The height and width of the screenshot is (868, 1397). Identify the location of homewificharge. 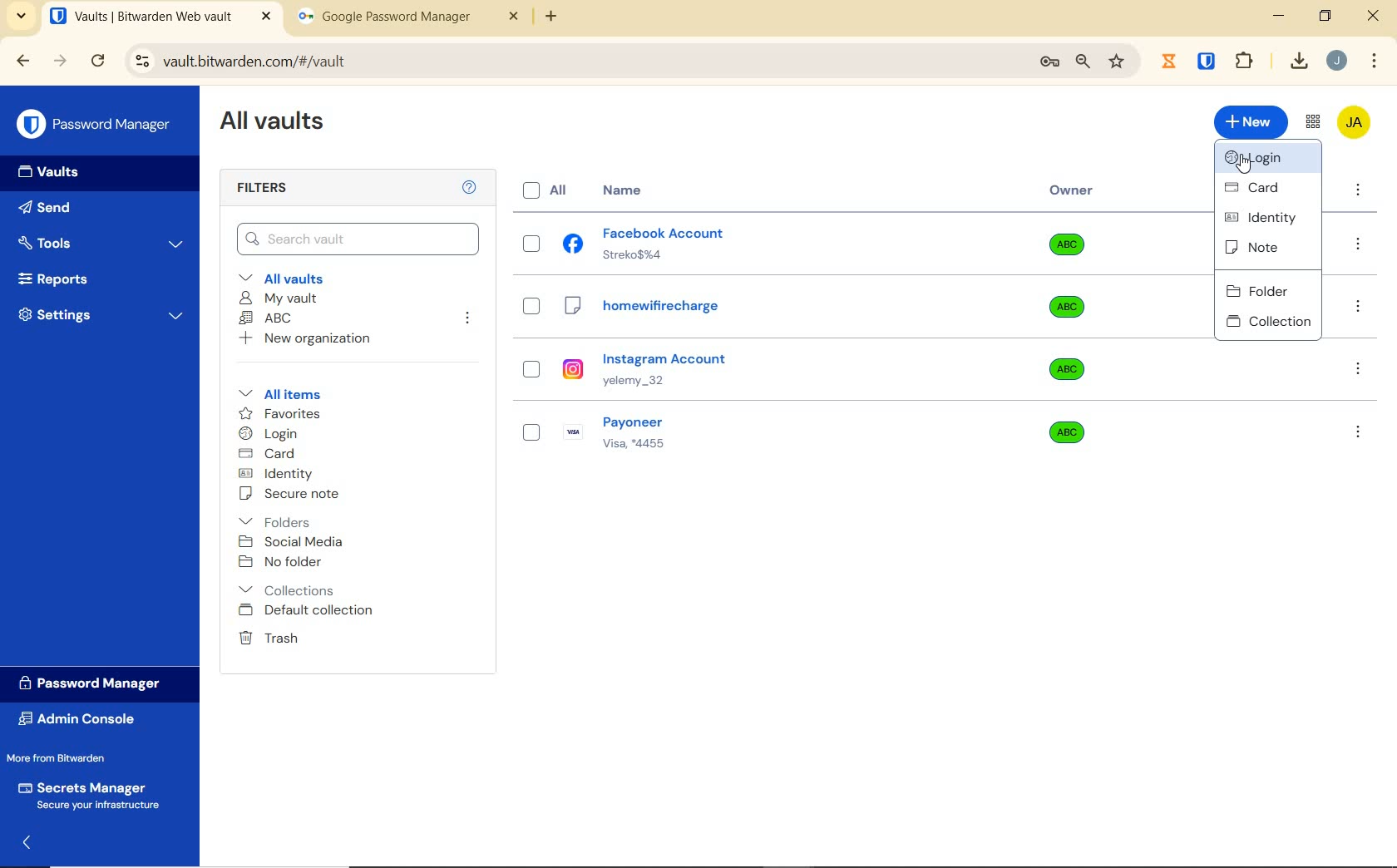
(666, 316).